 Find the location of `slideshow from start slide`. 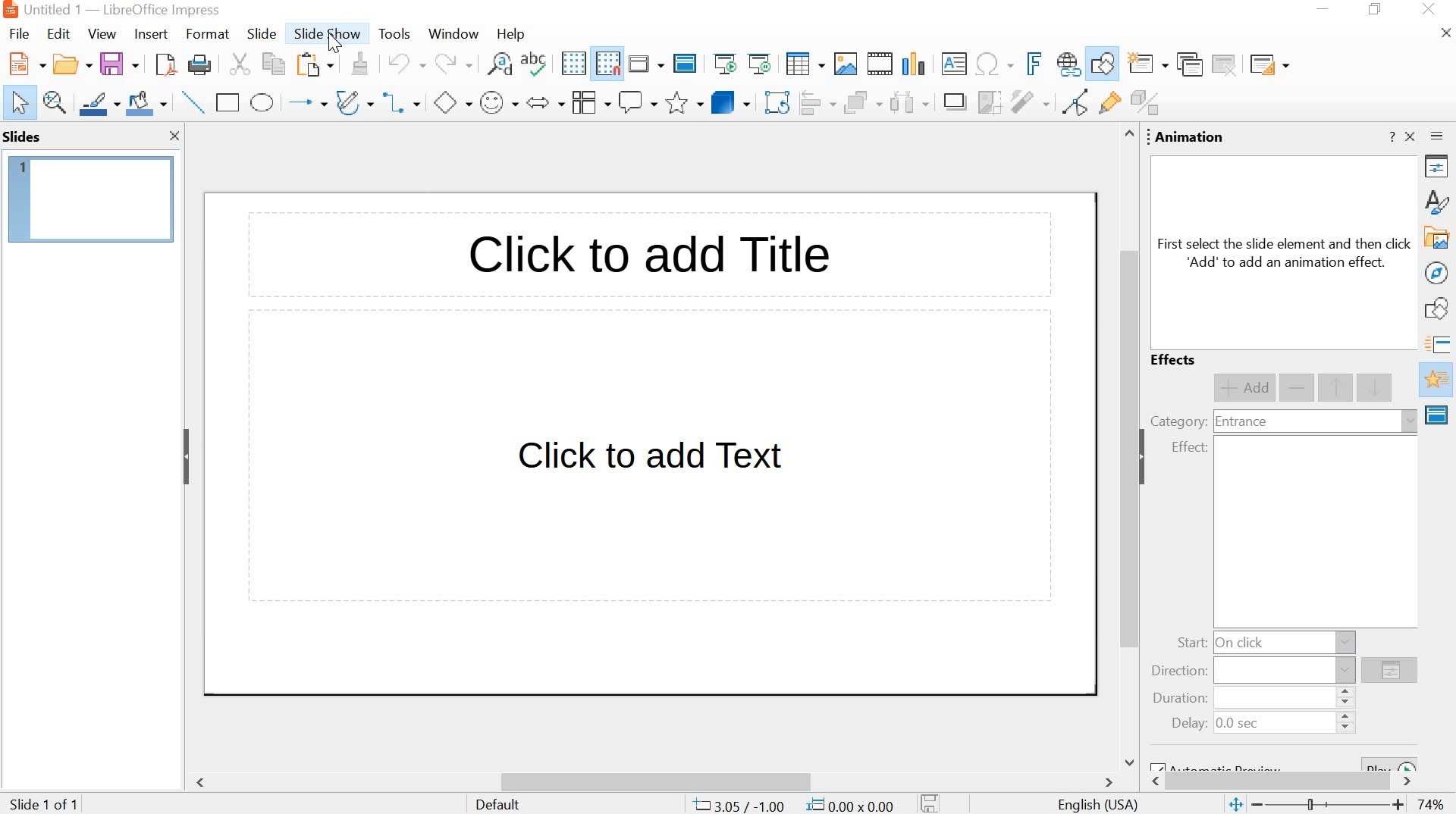

slideshow from start slide is located at coordinates (725, 65).